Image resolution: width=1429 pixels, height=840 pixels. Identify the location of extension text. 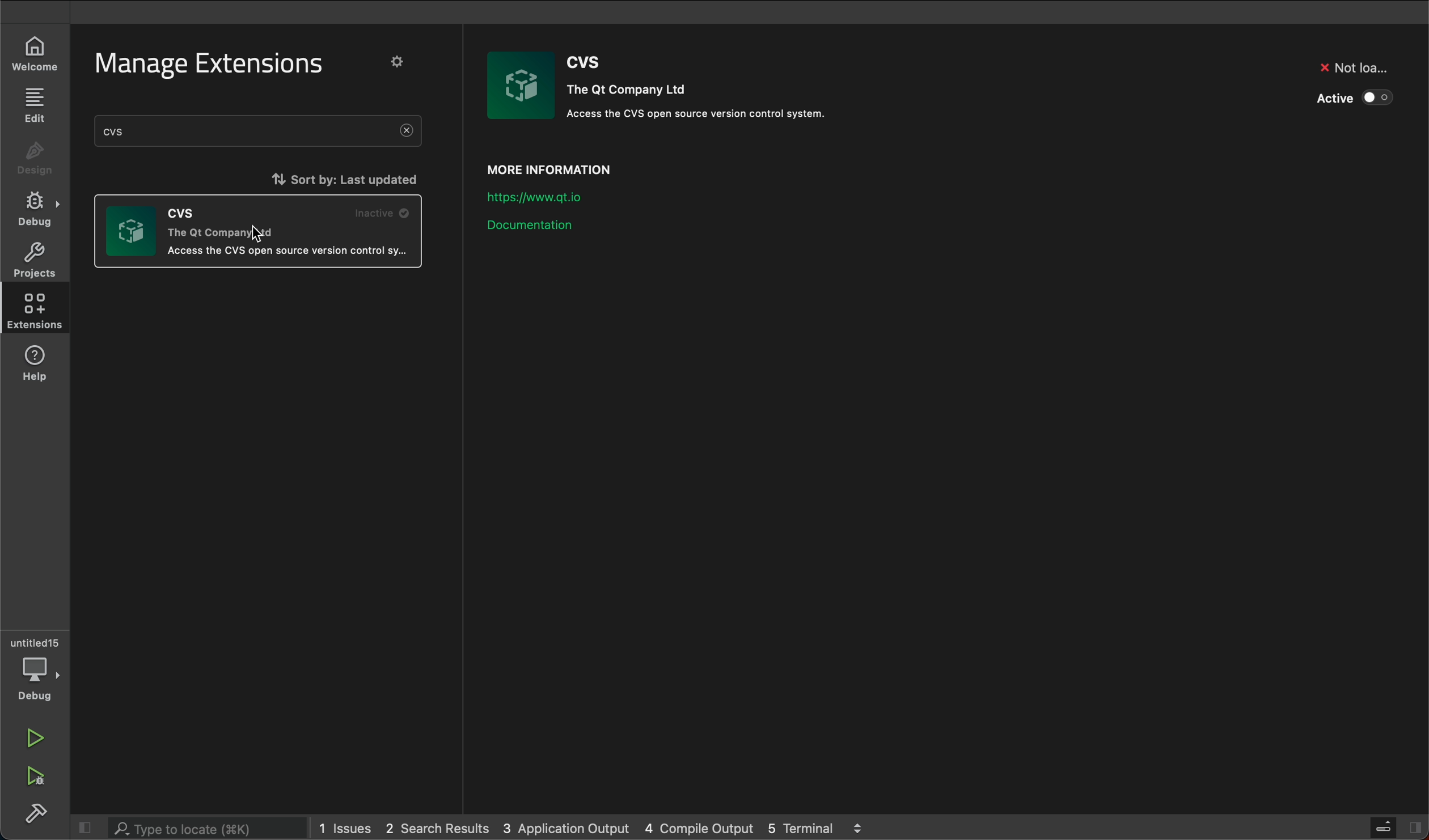
(285, 252).